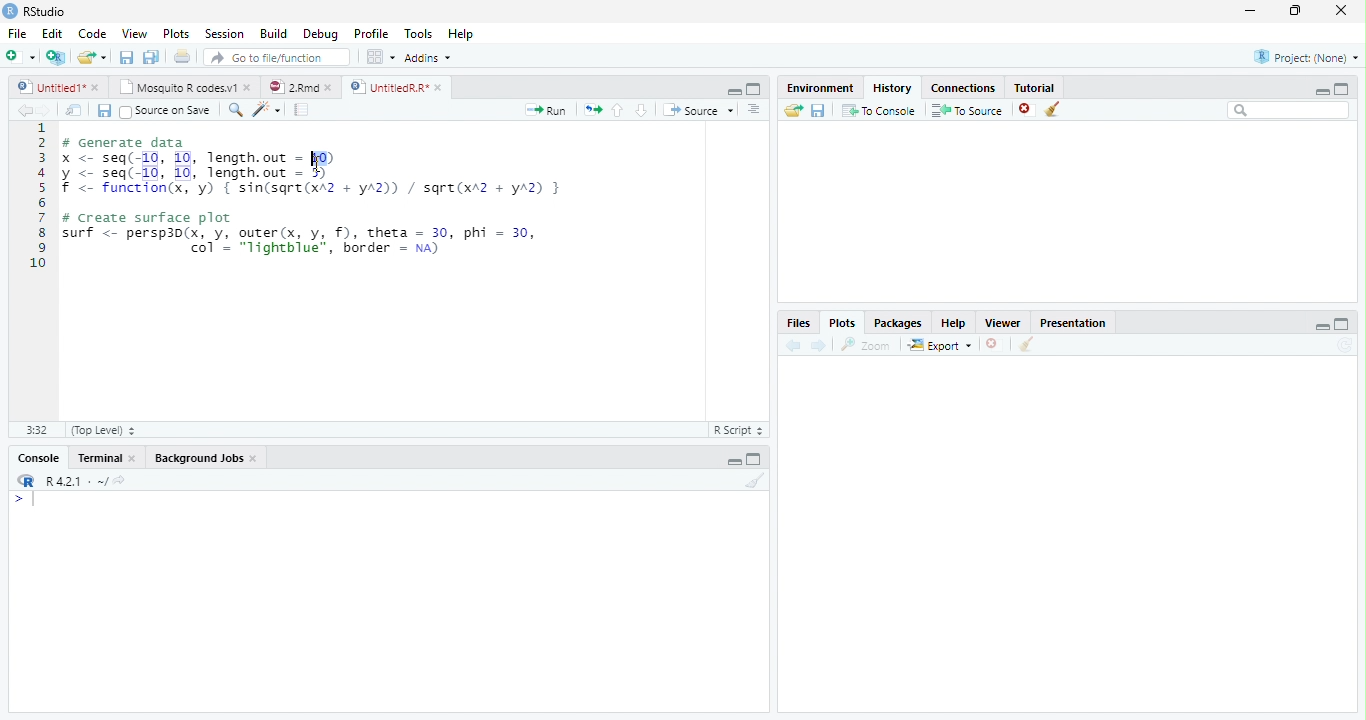 The image size is (1366, 720). What do you see at coordinates (105, 430) in the screenshot?
I see `(Top Level)` at bounding box center [105, 430].